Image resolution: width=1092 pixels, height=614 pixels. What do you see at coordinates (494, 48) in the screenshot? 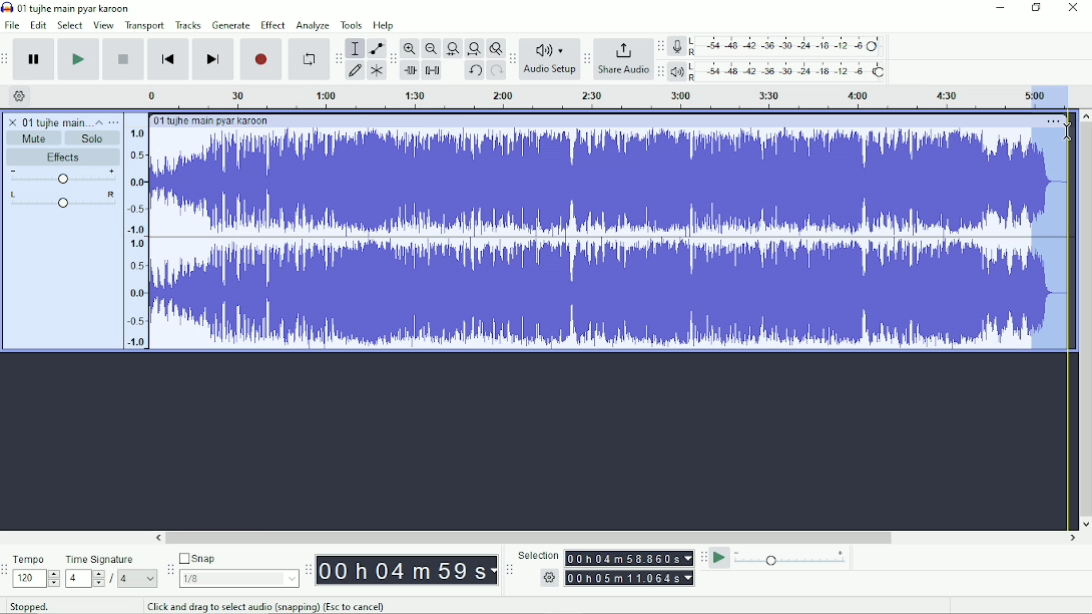
I see `Zoom toggle` at bounding box center [494, 48].